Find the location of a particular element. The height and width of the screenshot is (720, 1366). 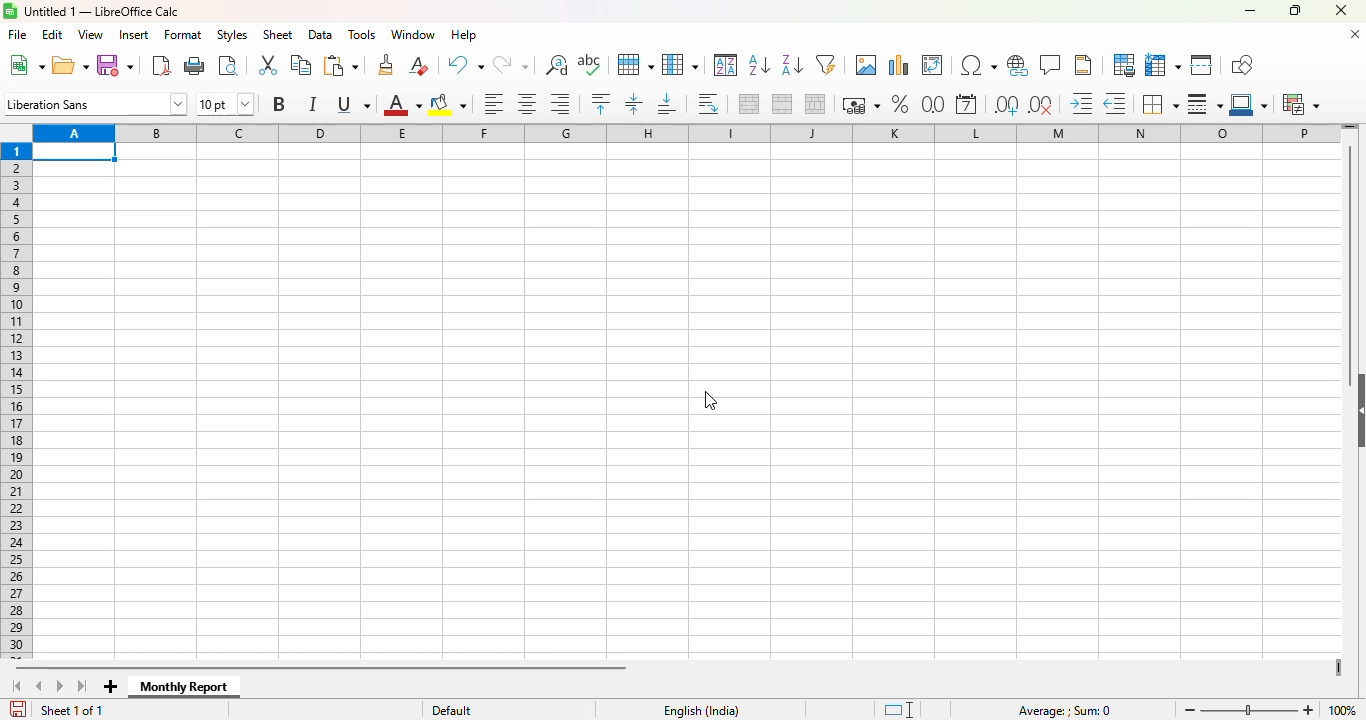

Software logo is located at coordinates (9, 11).